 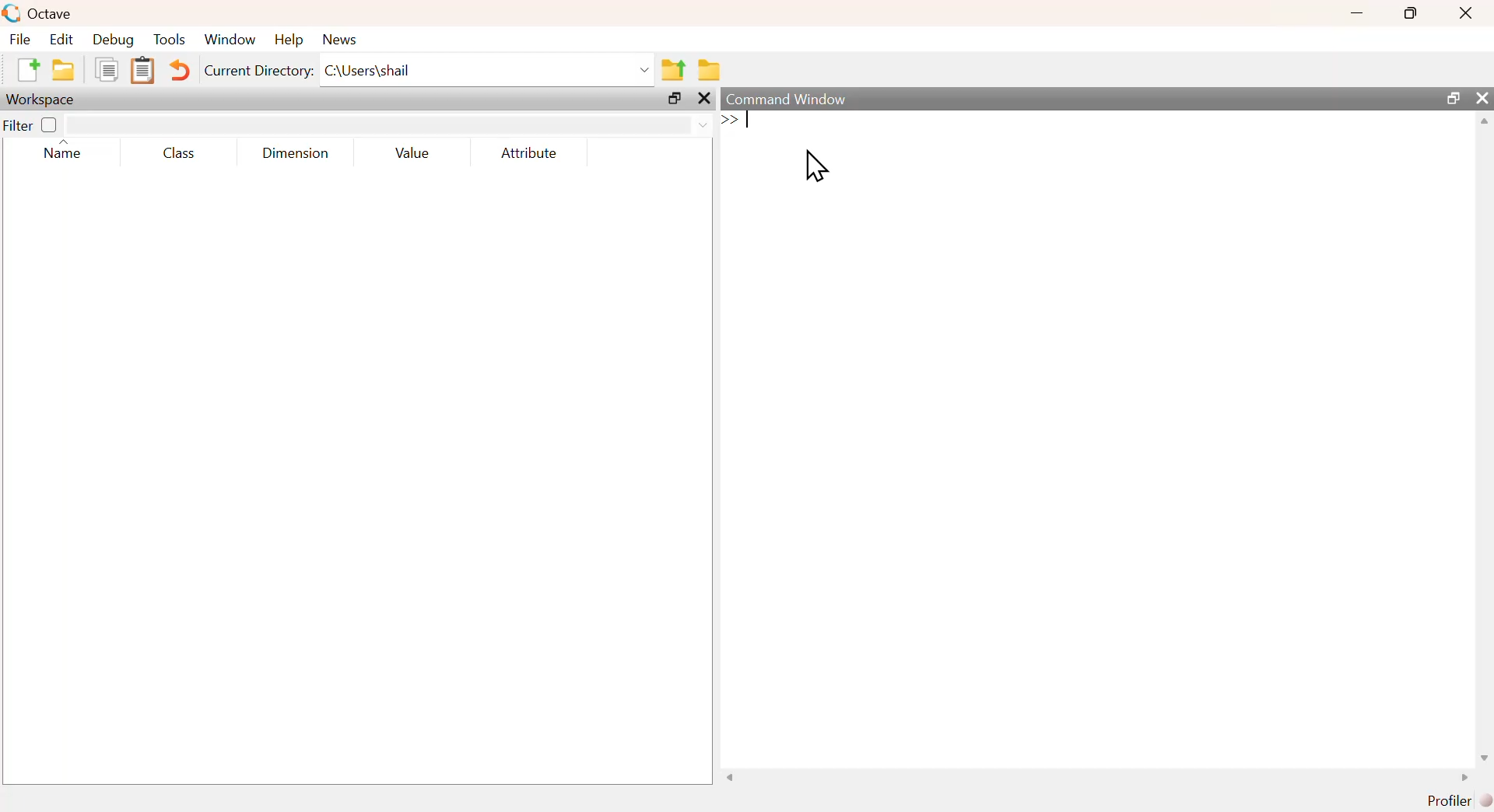 What do you see at coordinates (1485, 442) in the screenshot?
I see `scrollbar` at bounding box center [1485, 442].